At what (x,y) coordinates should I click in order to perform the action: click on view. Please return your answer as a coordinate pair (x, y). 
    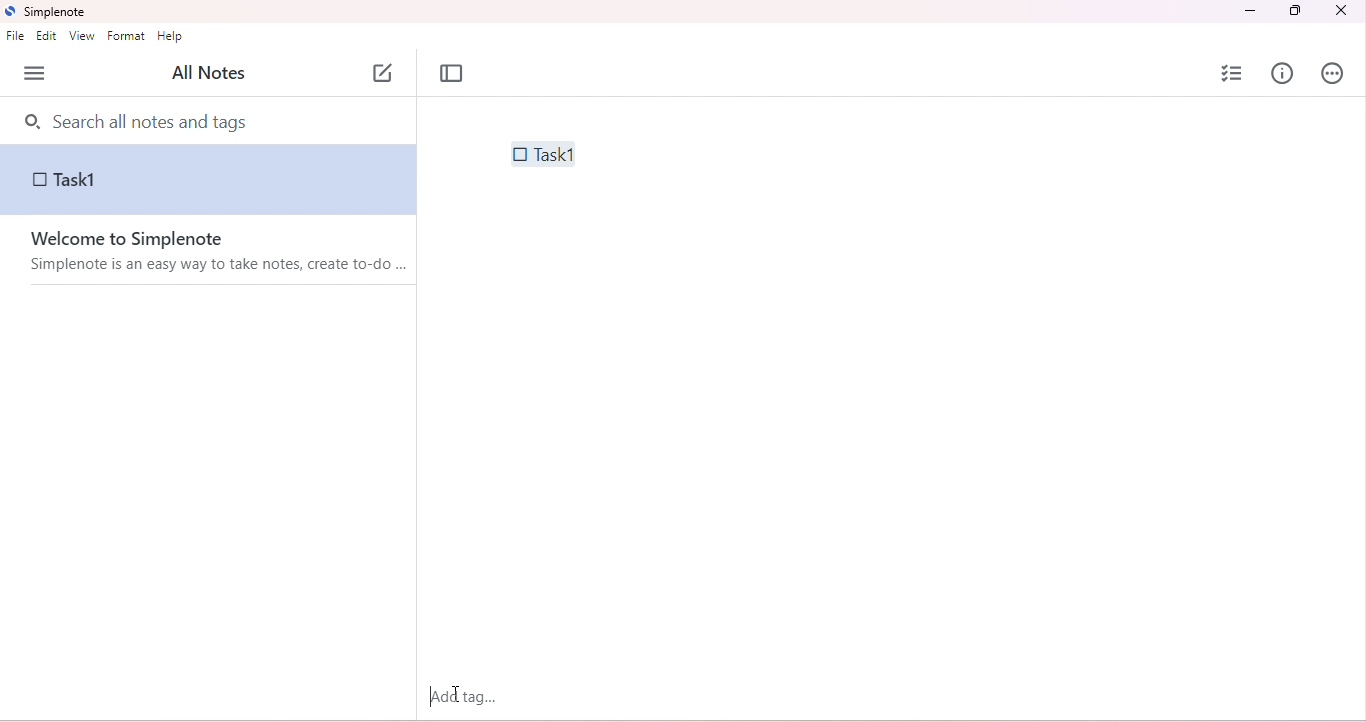
    Looking at the image, I should click on (81, 37).